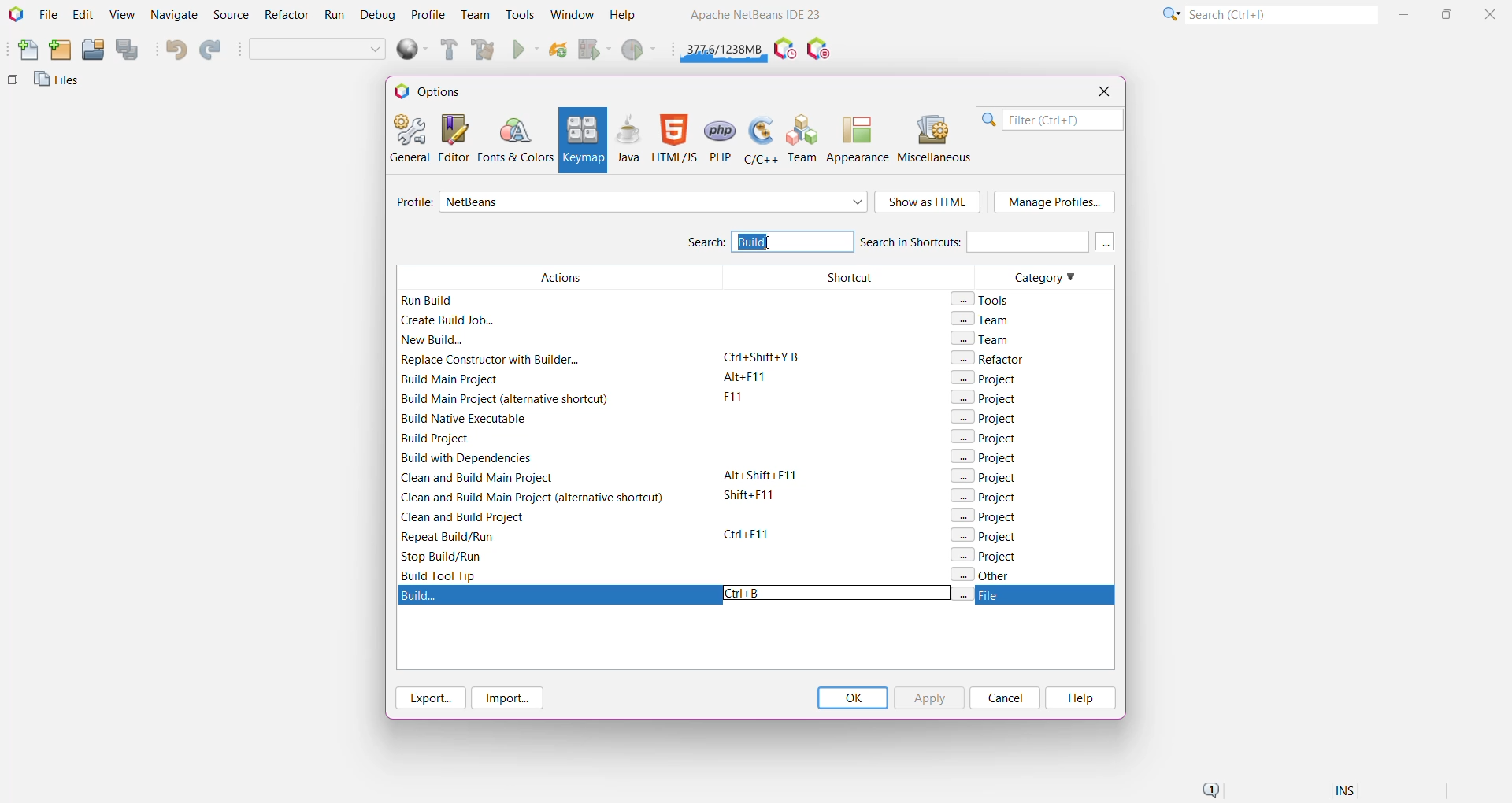 This screenshot has height=803, width=1512. What do you see at coordinates (376, 16) in the screenshot?
I see `Debug ` at bounding box center [376, 16].